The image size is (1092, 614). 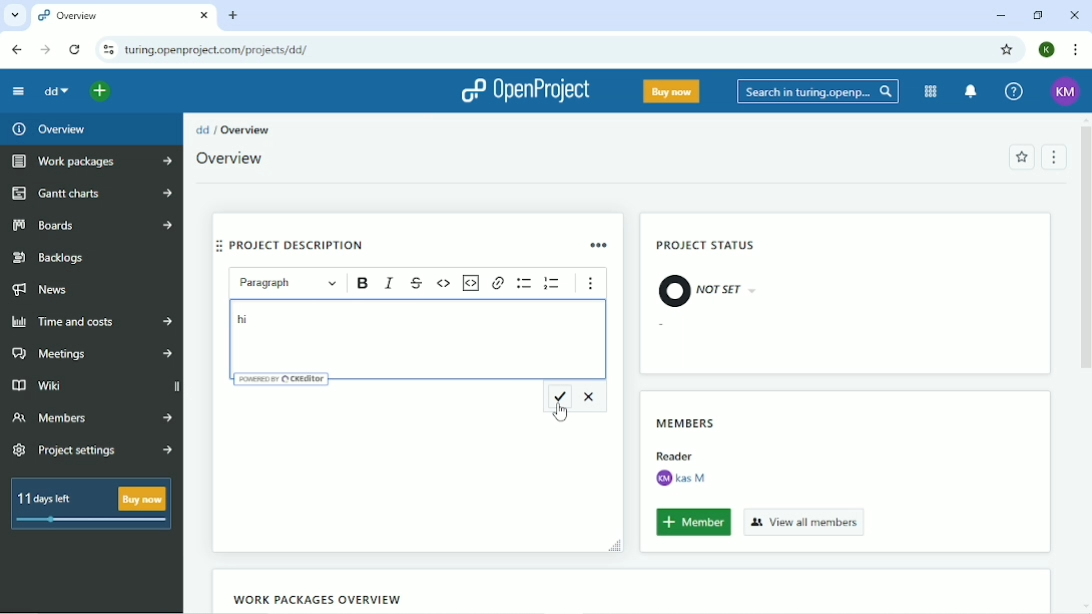 What do you see at coordinates (94, 451) in the screenshot?
I see `Project settings` at bounding box center [94, 451].